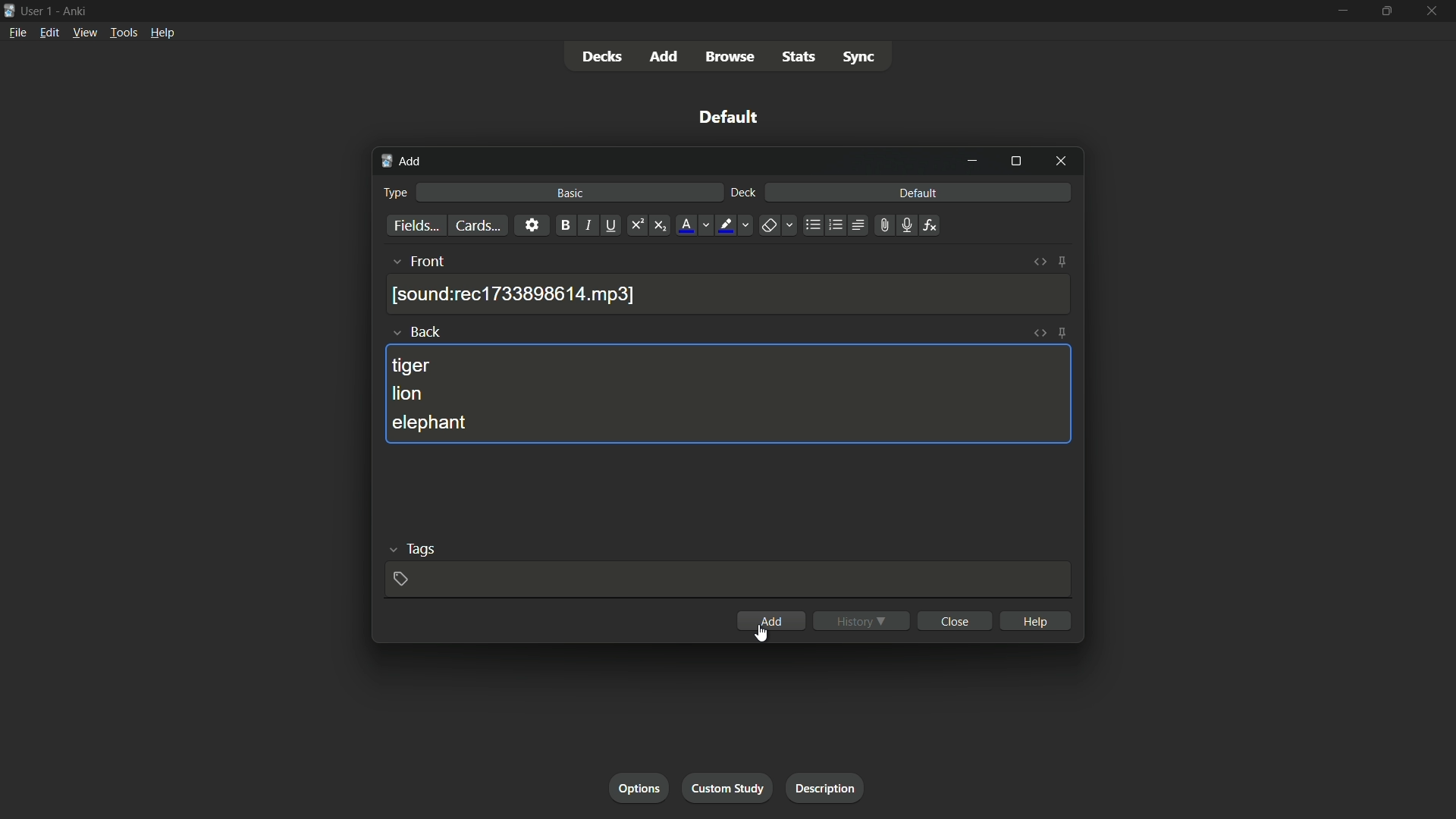 This screenshot has height=819, width=1456. Describe the element at coordinates (9, 9) in the screenshot. I see `app icon` at that location.